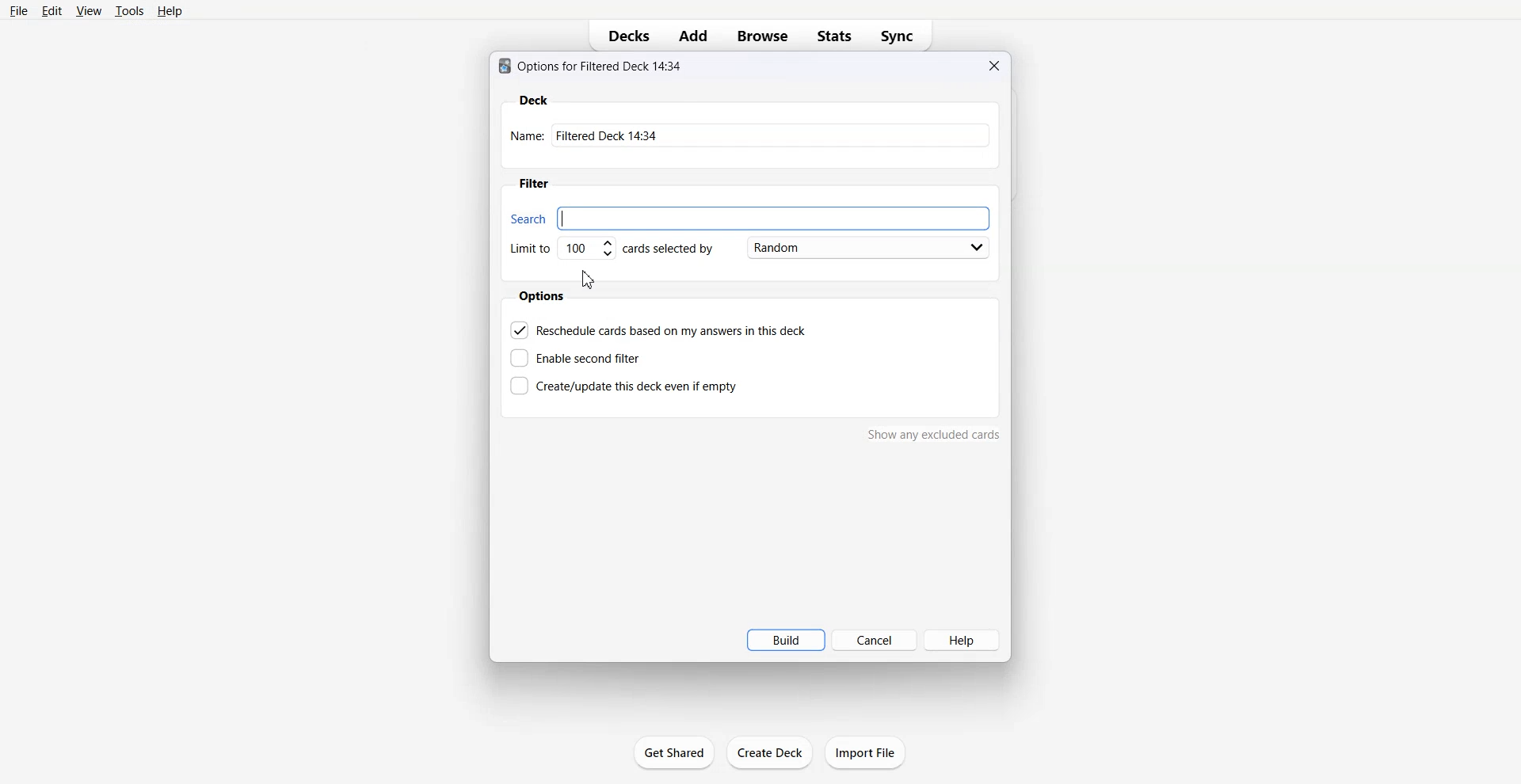  I want to click on Import File, so click(865, 752).